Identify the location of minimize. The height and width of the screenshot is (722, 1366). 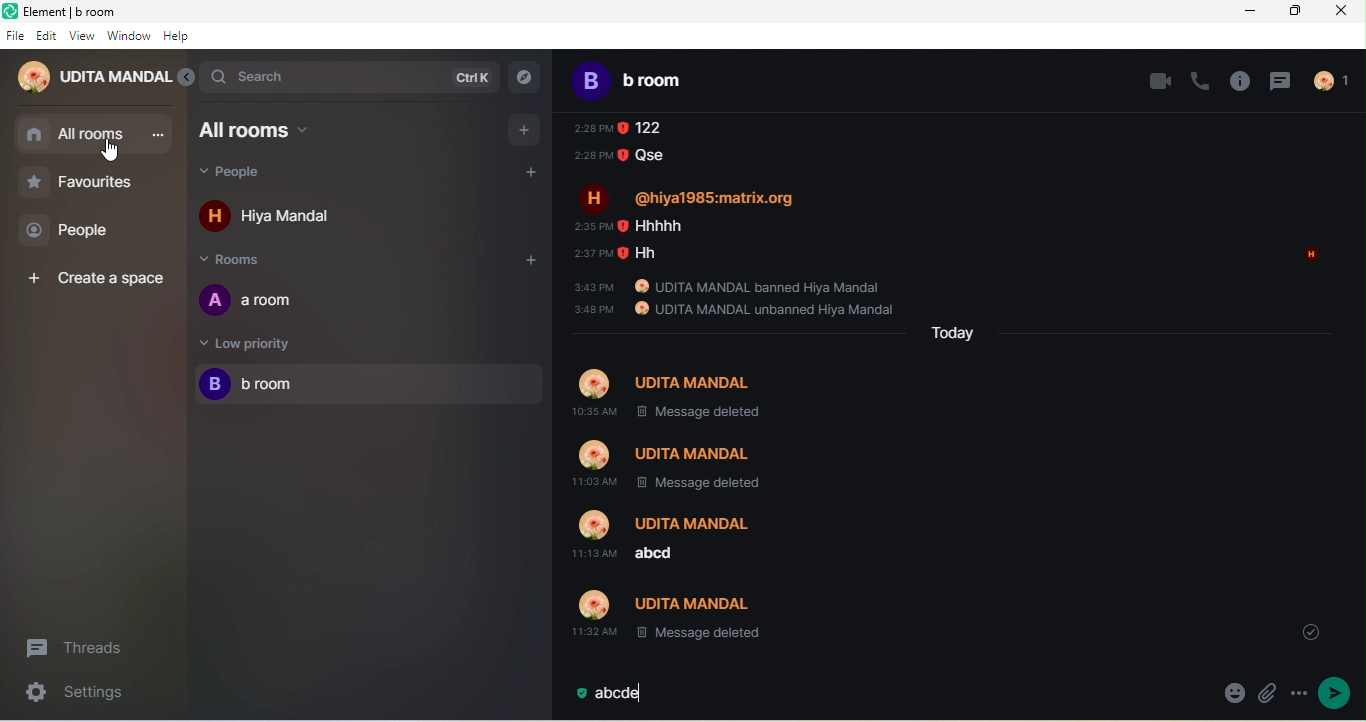
(1251, 10).